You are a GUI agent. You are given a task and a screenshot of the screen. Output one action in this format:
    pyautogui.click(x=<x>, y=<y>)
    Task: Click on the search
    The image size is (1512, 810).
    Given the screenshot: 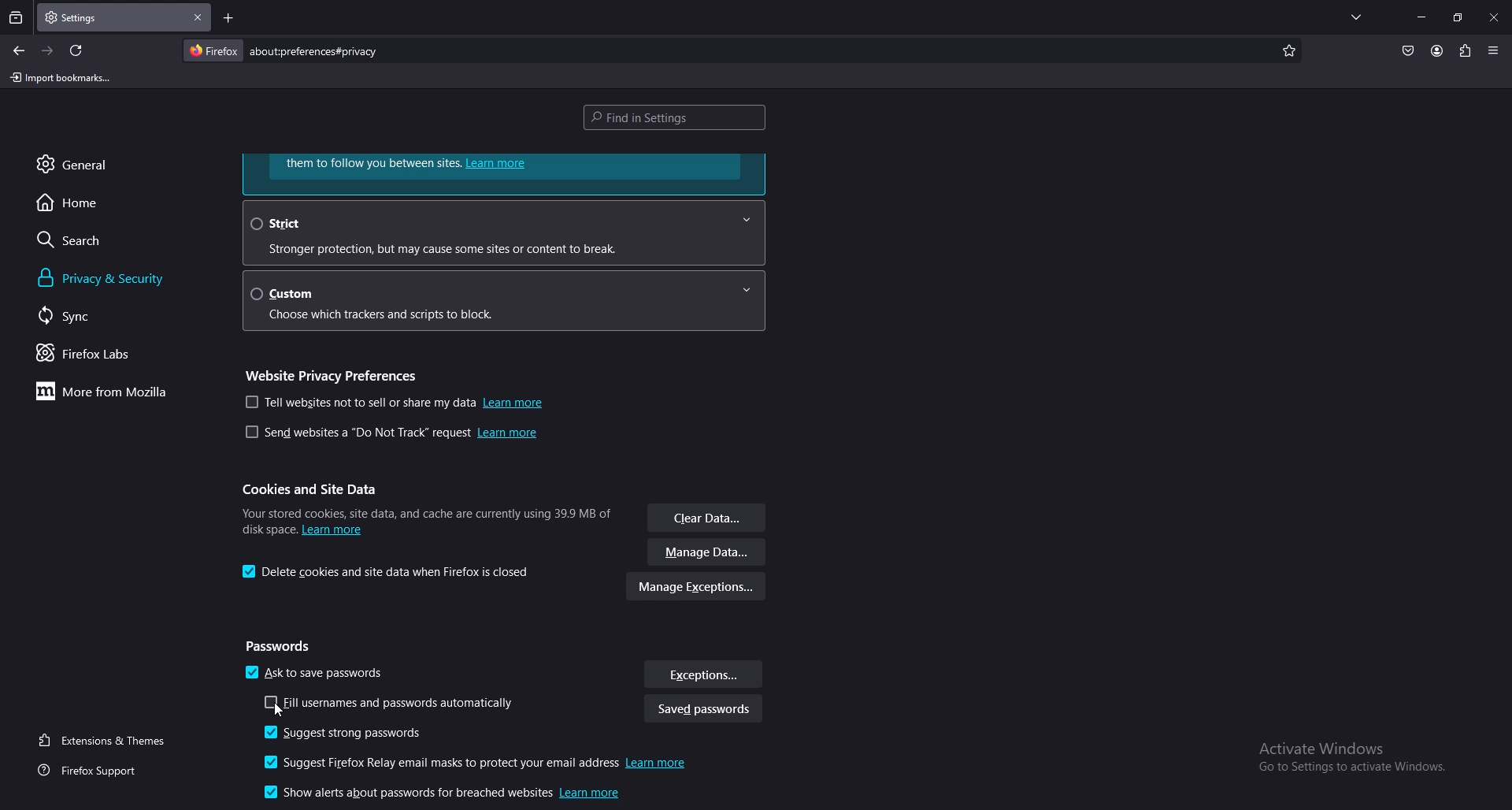 What is the action you would take?
    pyautogui.click(x=97, y=240)
    